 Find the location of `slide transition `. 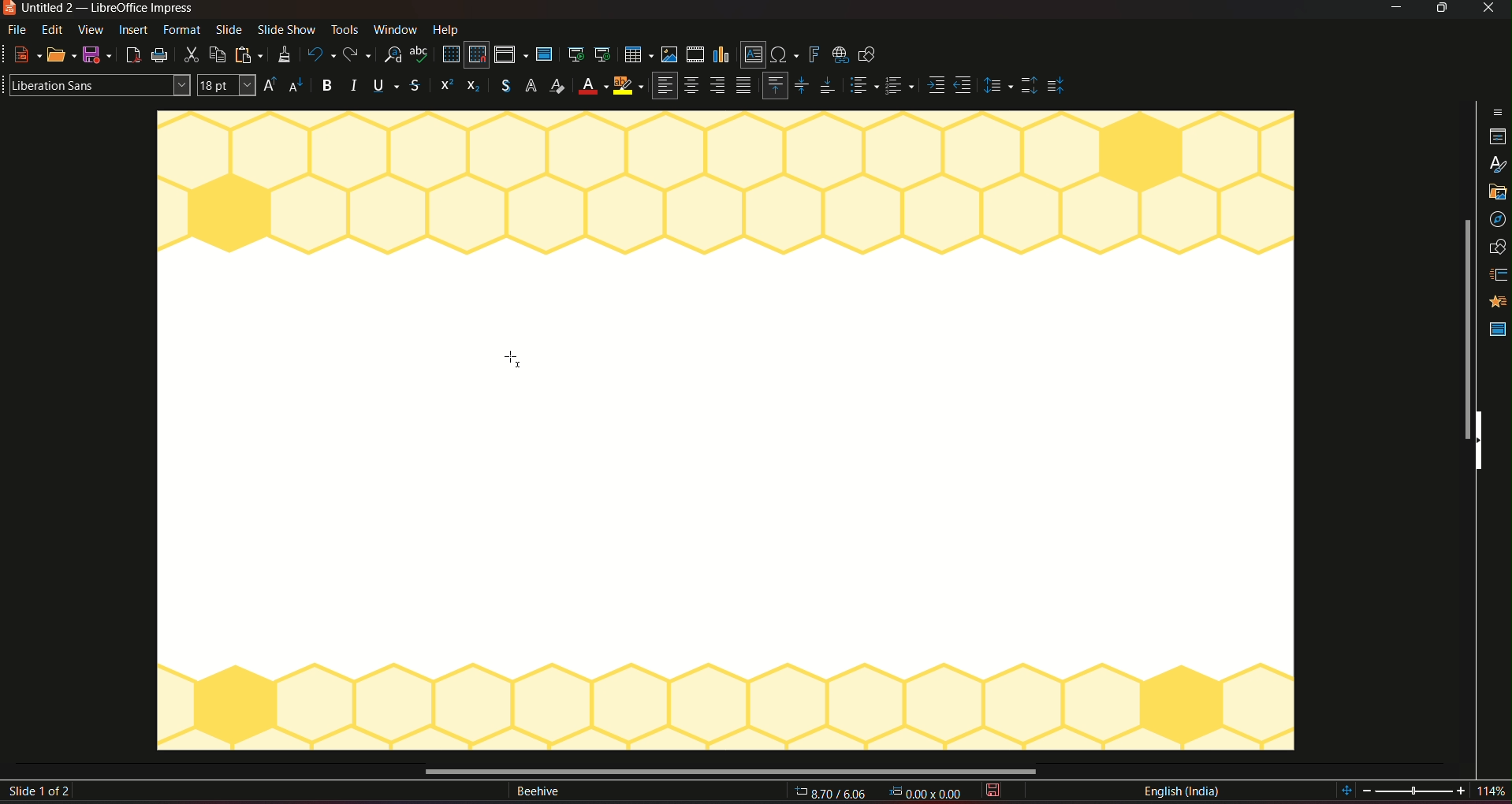

slide transition  is located at coordinates (1499, 242).